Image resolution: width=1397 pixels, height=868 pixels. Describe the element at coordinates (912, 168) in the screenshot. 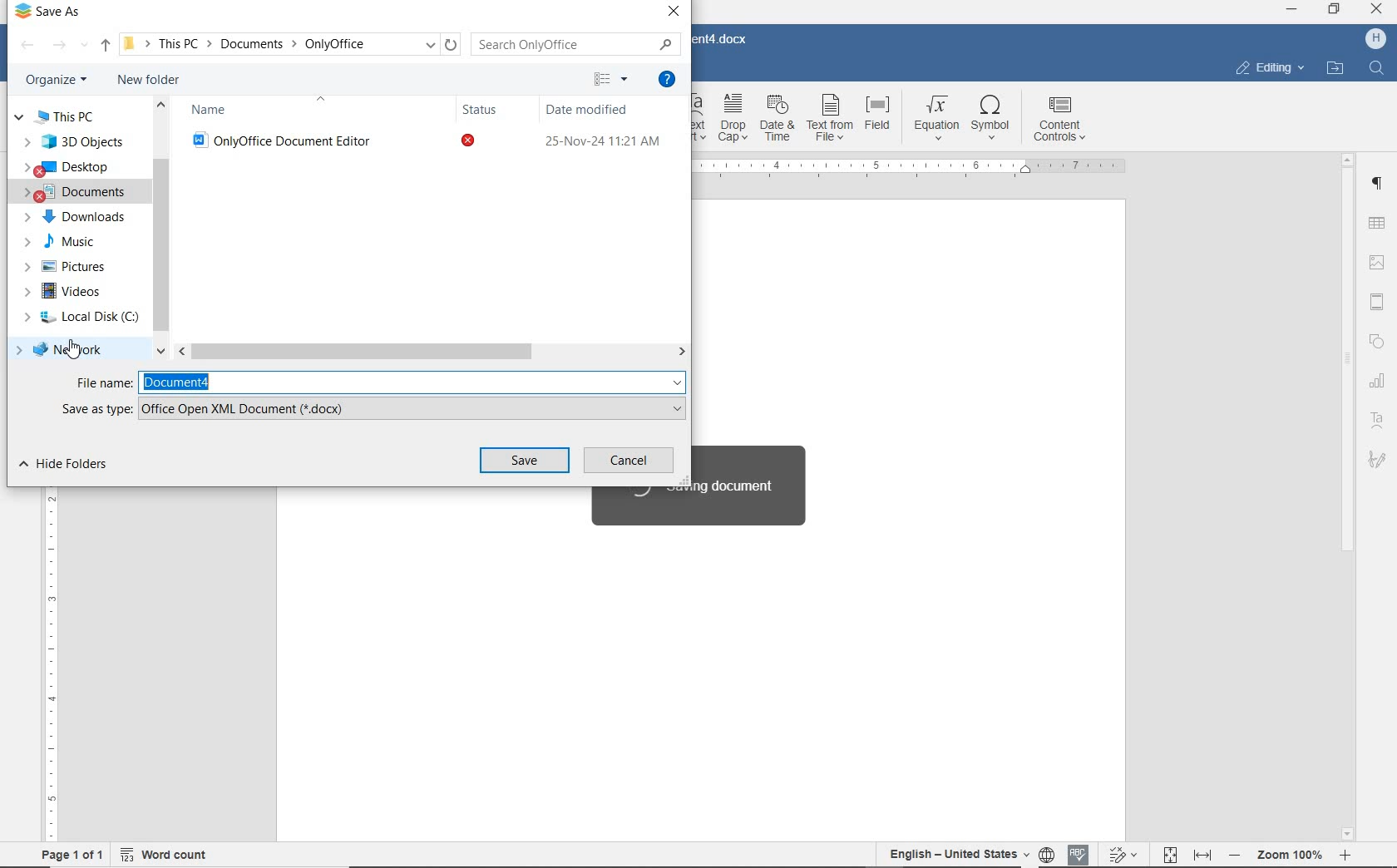

I see `ruler` at that location.